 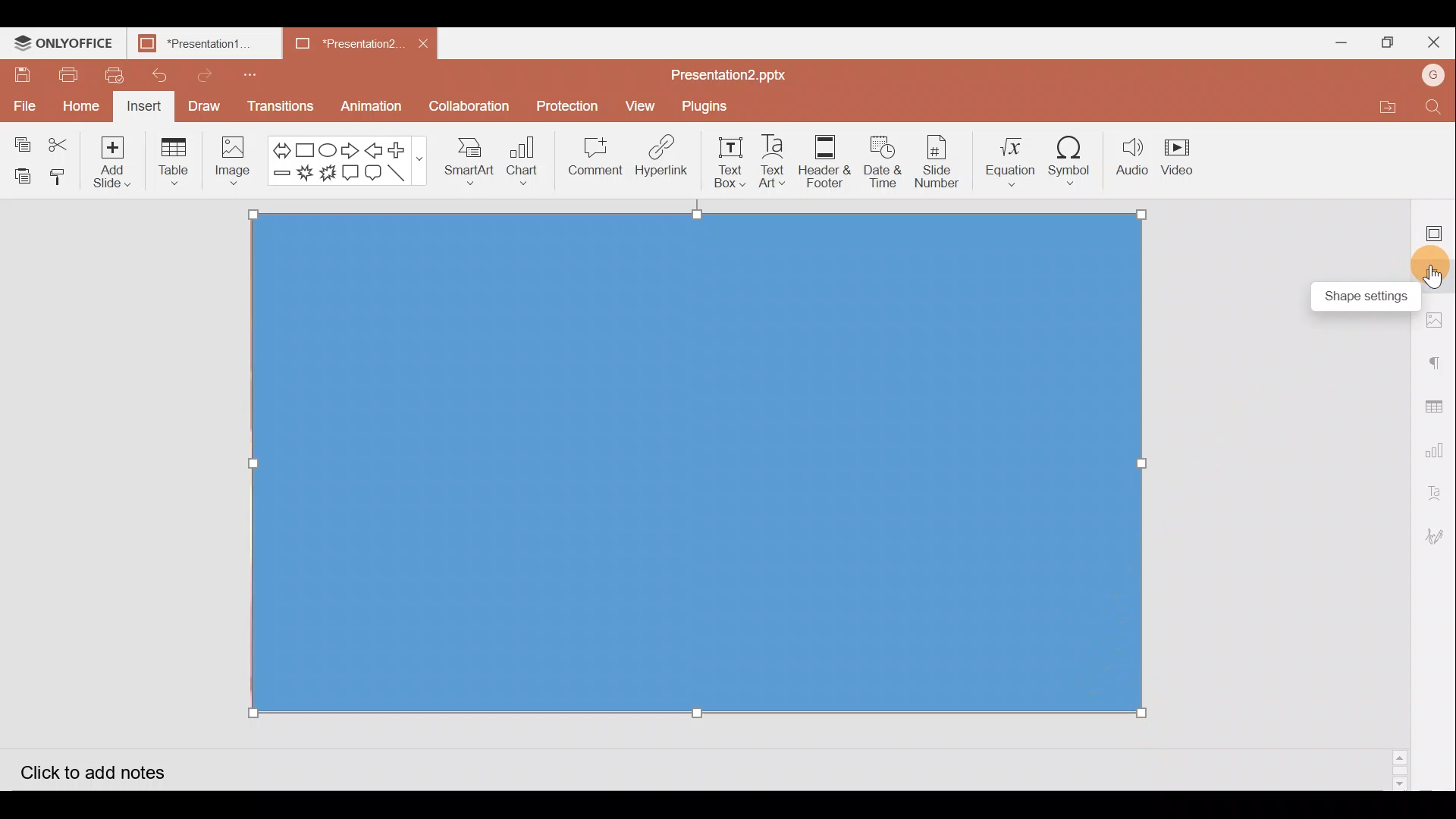 What do you see at coordinates (377, 103) in the screenshot?
I see `Animation` at bounding box center [377, 103].